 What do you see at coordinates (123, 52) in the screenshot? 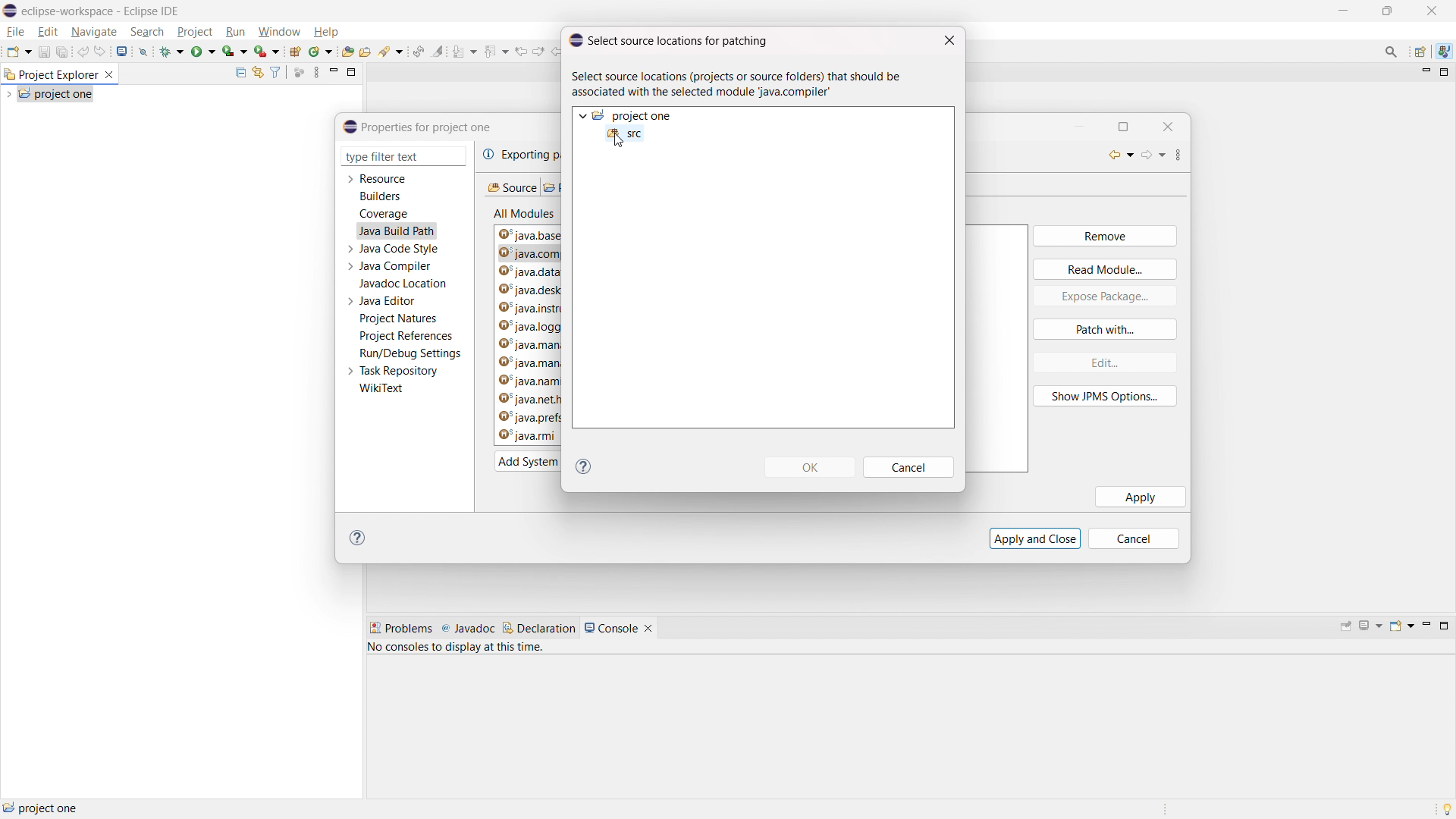
I see `open console` at bounding box center [123, 52].